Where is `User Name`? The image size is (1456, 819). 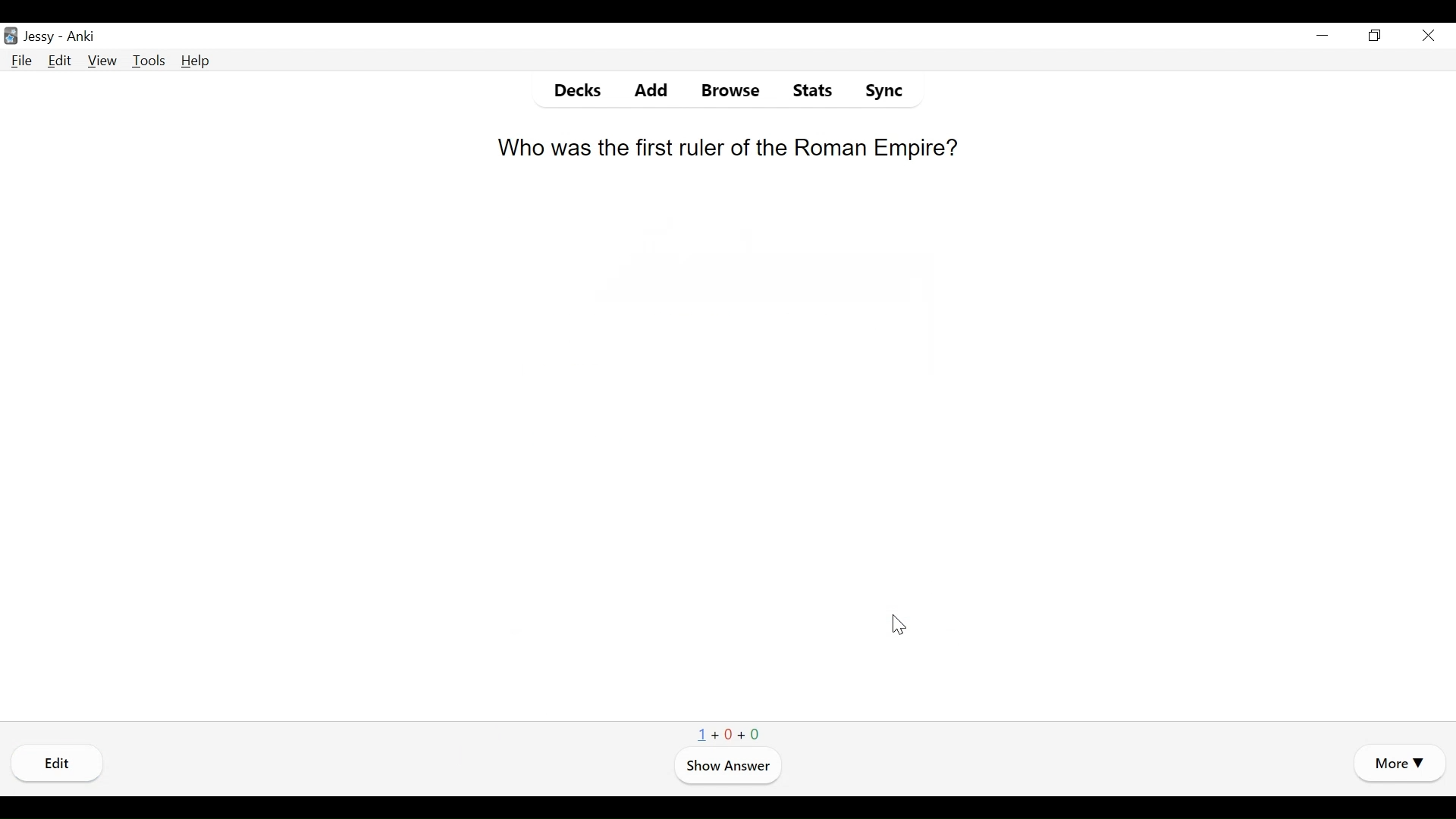 User Name is located at coordinates (39, 38).